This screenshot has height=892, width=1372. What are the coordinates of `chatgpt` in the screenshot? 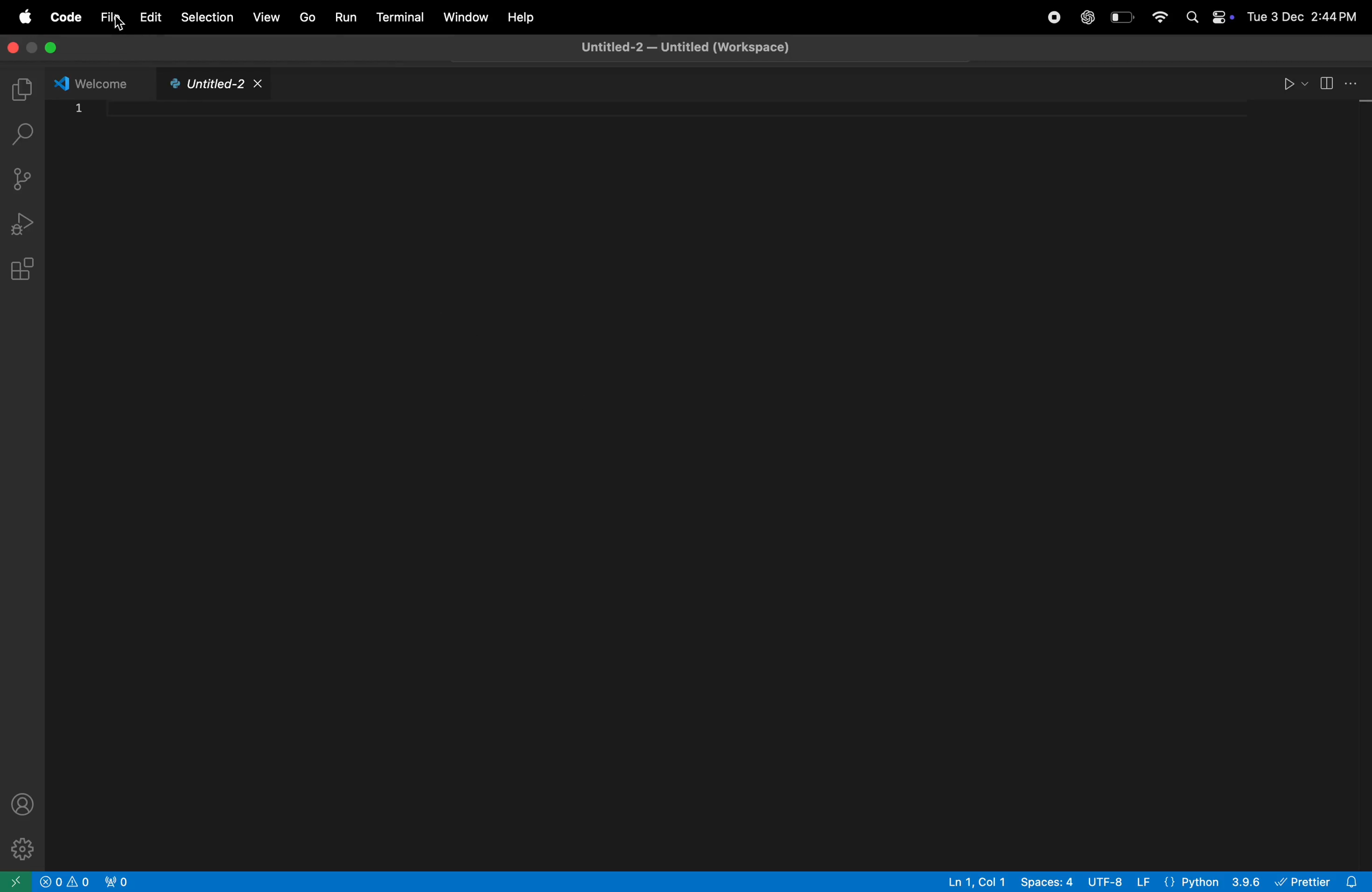 It's located at (1088, 18).